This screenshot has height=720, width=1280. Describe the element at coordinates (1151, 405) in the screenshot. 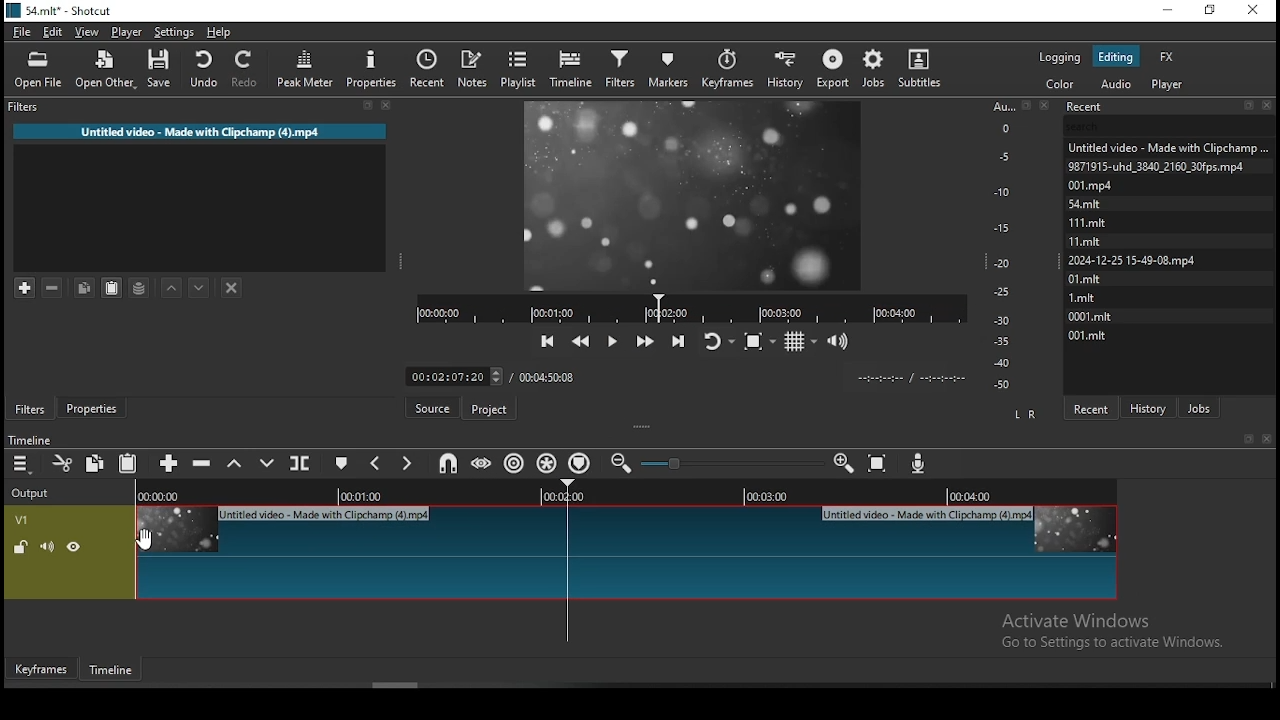

I see `history` at that location.